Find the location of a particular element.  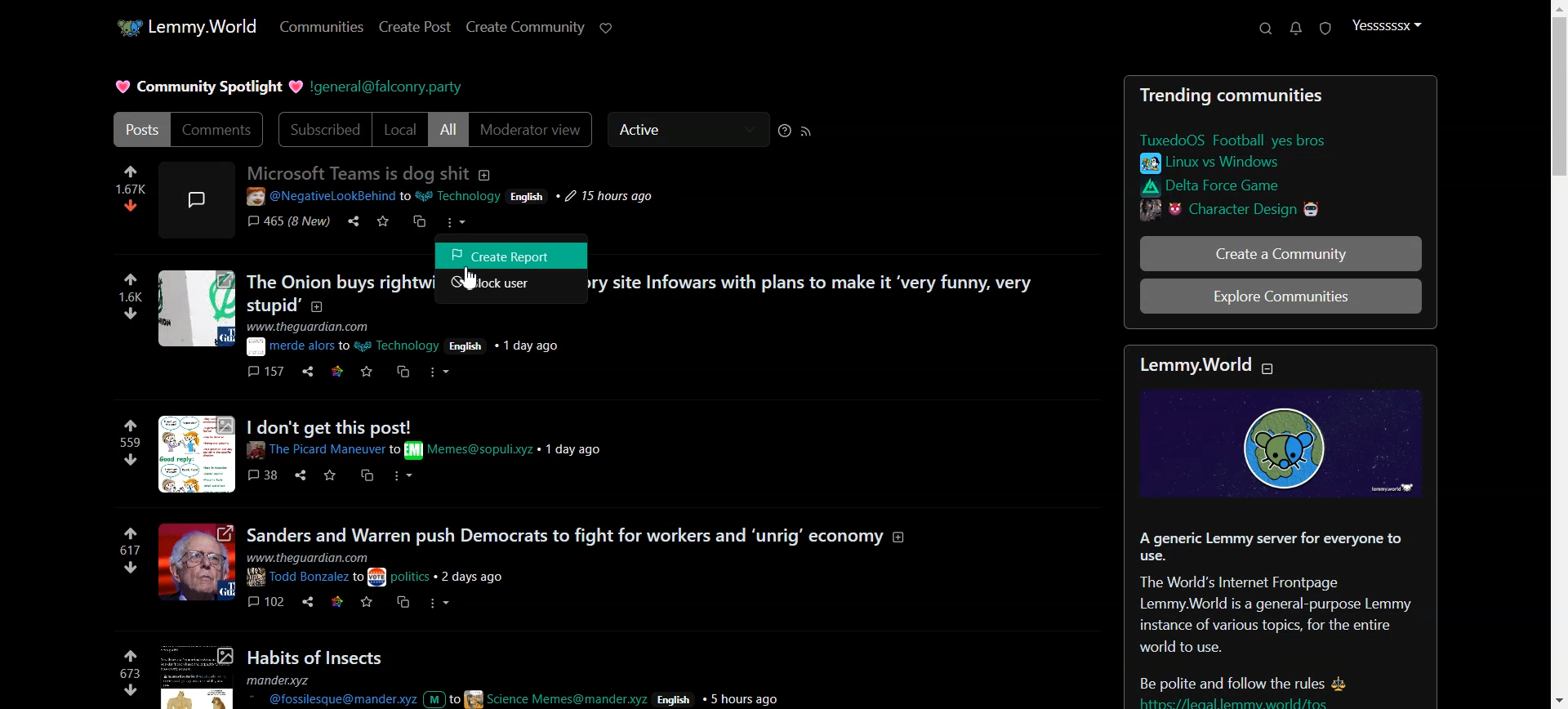

more is located at coordinates (443, 372).